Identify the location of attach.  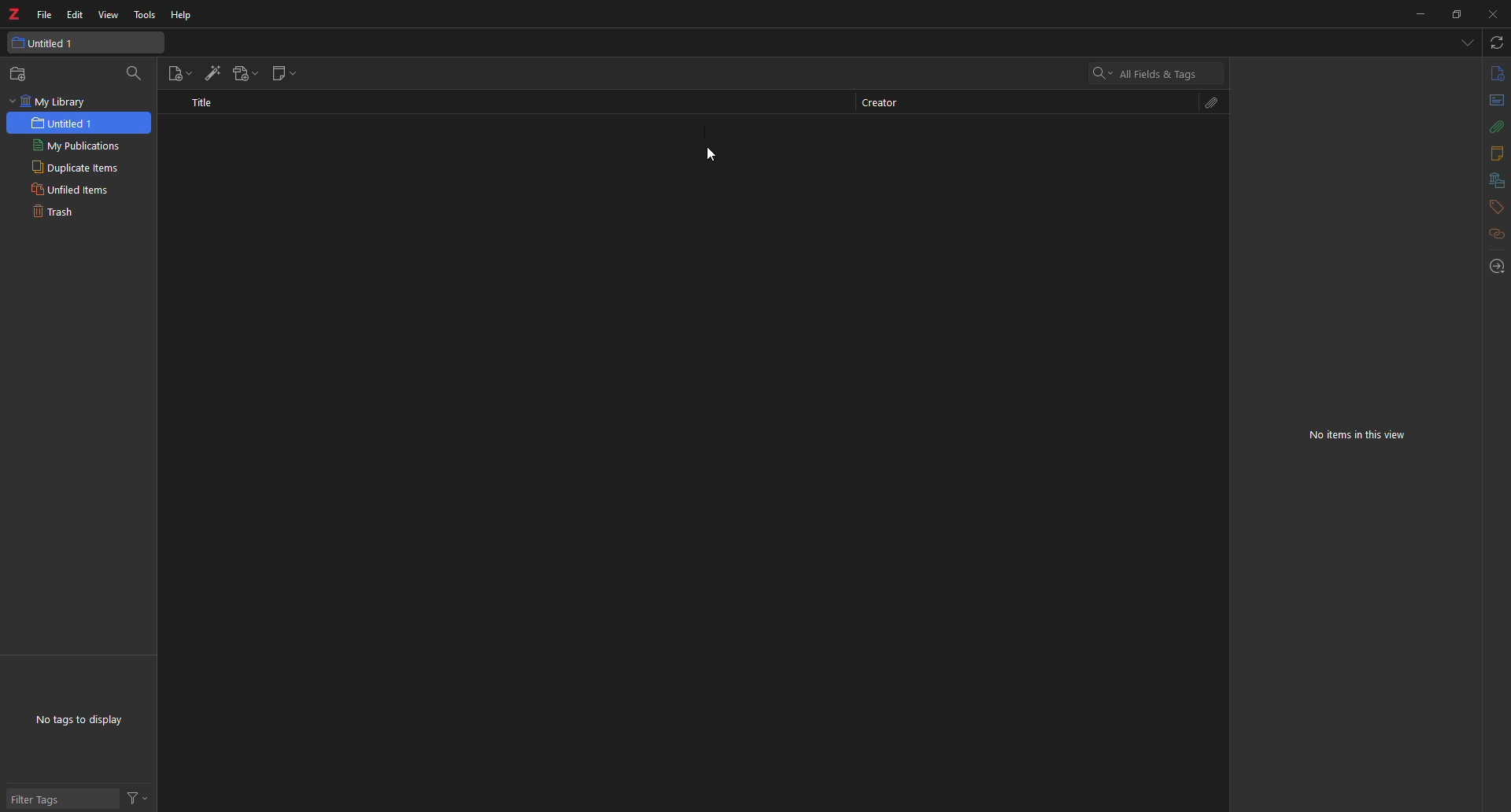
(1491, 127).